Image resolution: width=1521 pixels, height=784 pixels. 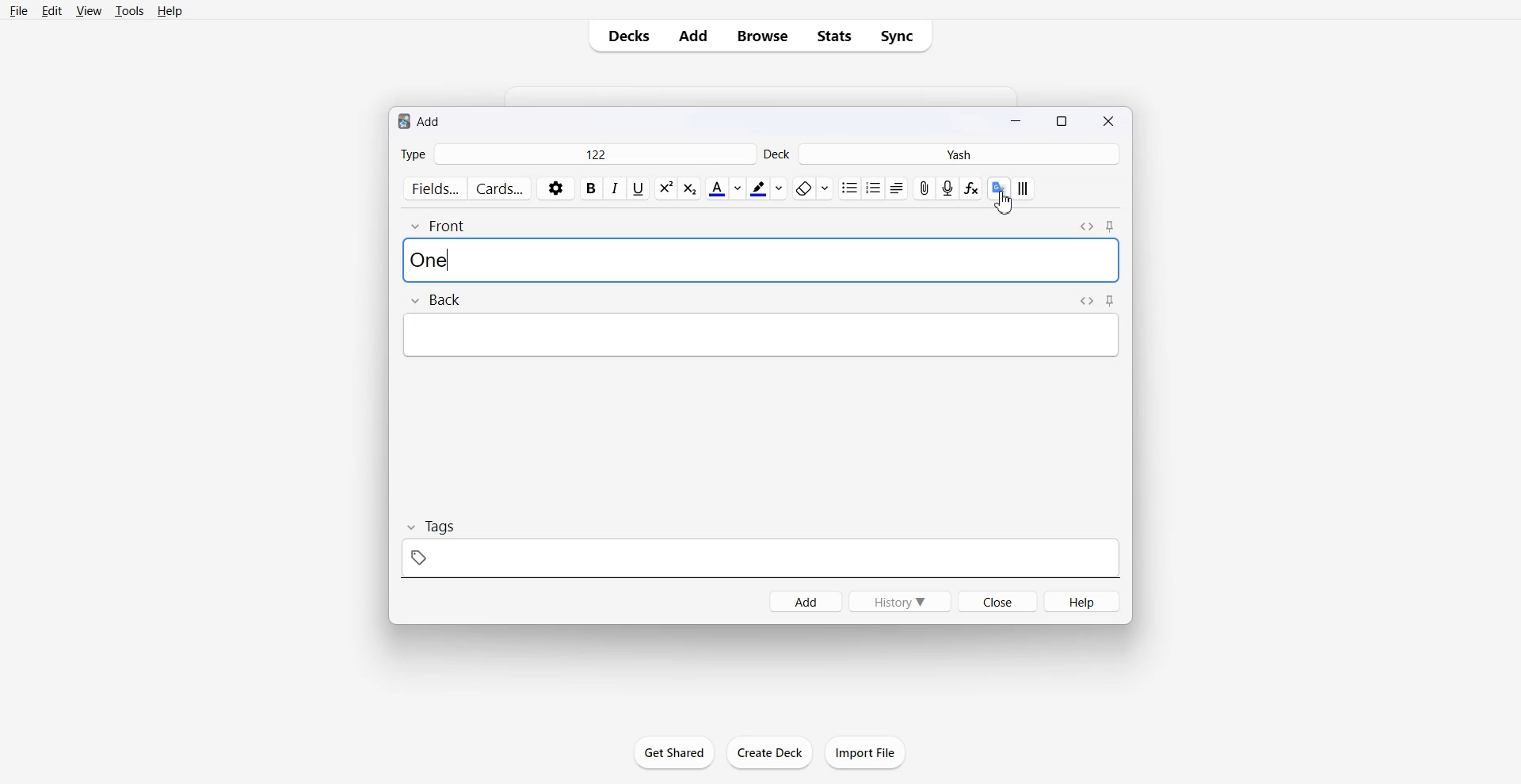 I want to click on Edit, so click(x=51, y=10).